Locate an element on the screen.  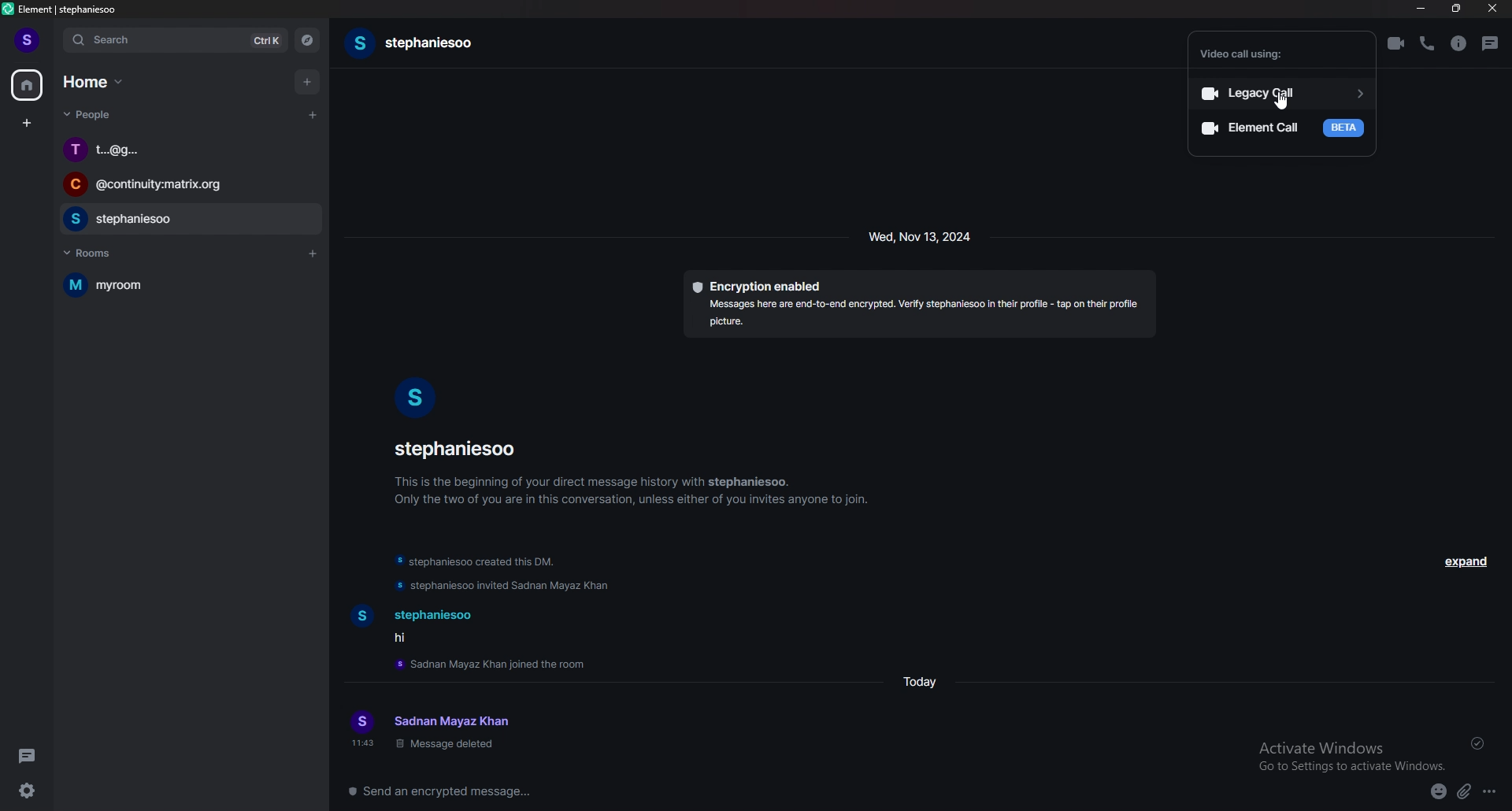
add room is located at coordinates (314, 254).